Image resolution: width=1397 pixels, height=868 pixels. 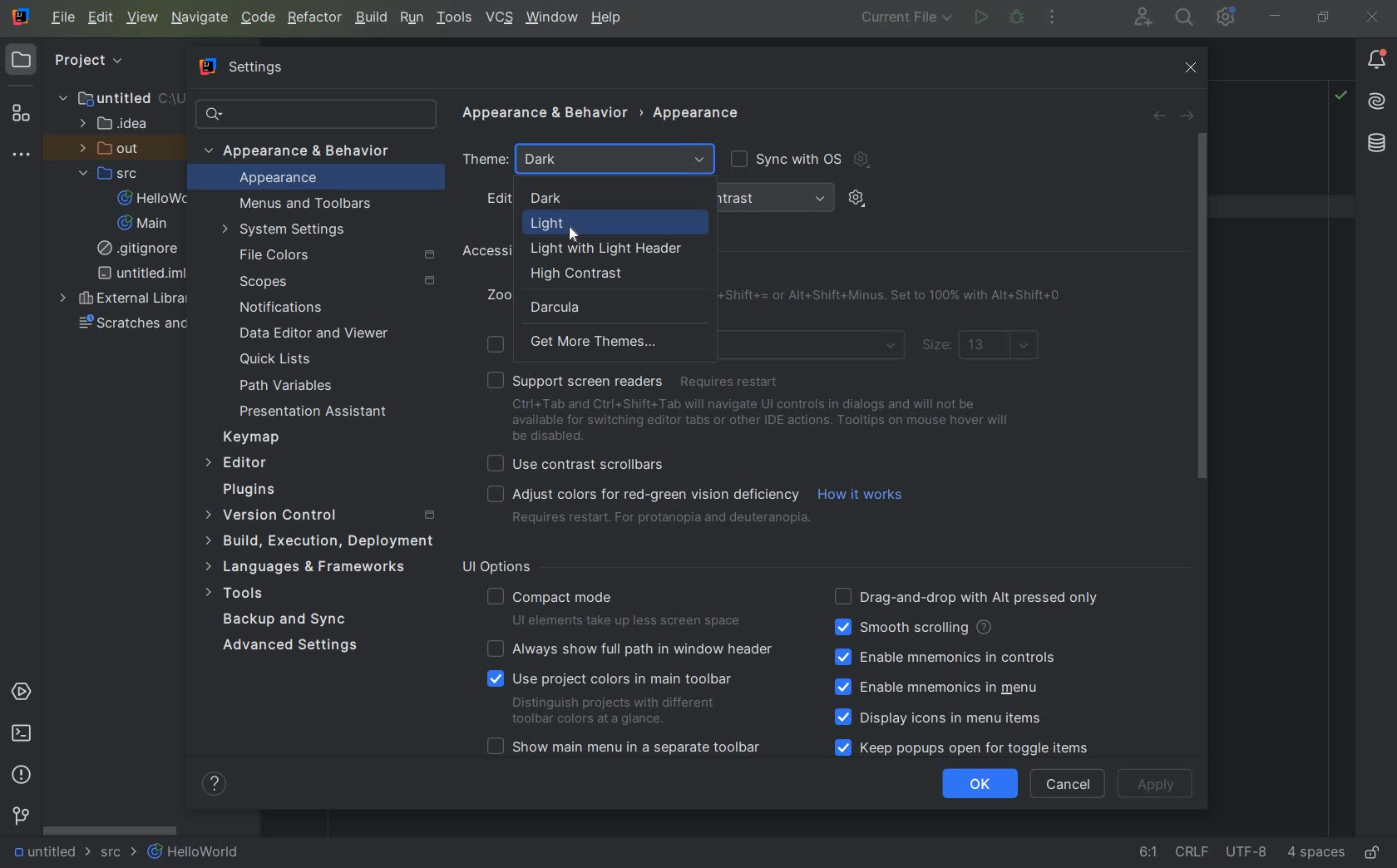 What do you see at coordinates (111, 830) in the screenshot?
I see `SCROLLBAR` at bounding box center [111, 830].